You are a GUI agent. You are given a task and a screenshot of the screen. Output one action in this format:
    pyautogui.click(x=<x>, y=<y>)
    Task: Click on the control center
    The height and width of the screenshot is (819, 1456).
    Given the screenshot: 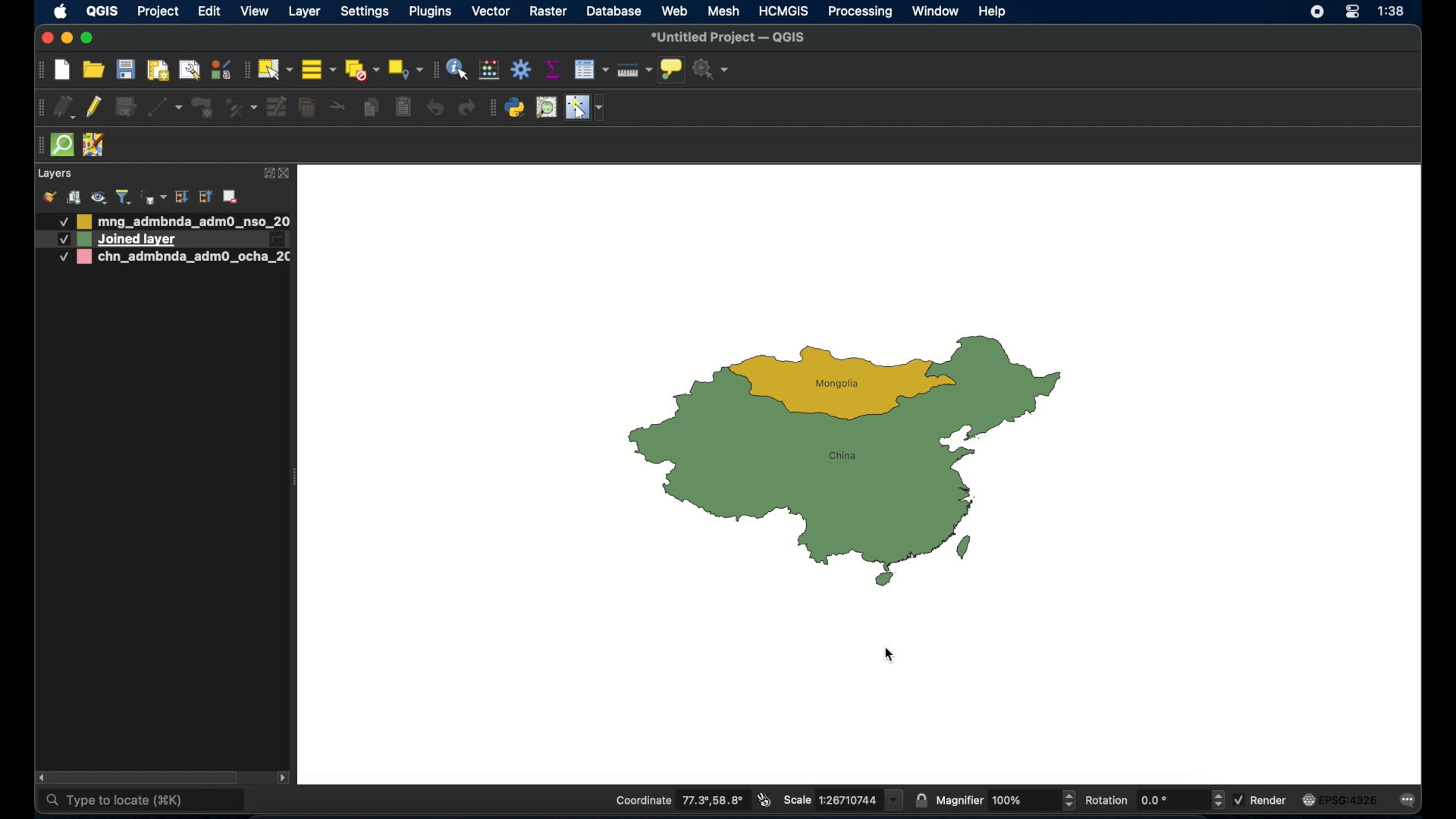 What is the action you would take?
    pyautogui.click(x=1353, y=11)
    